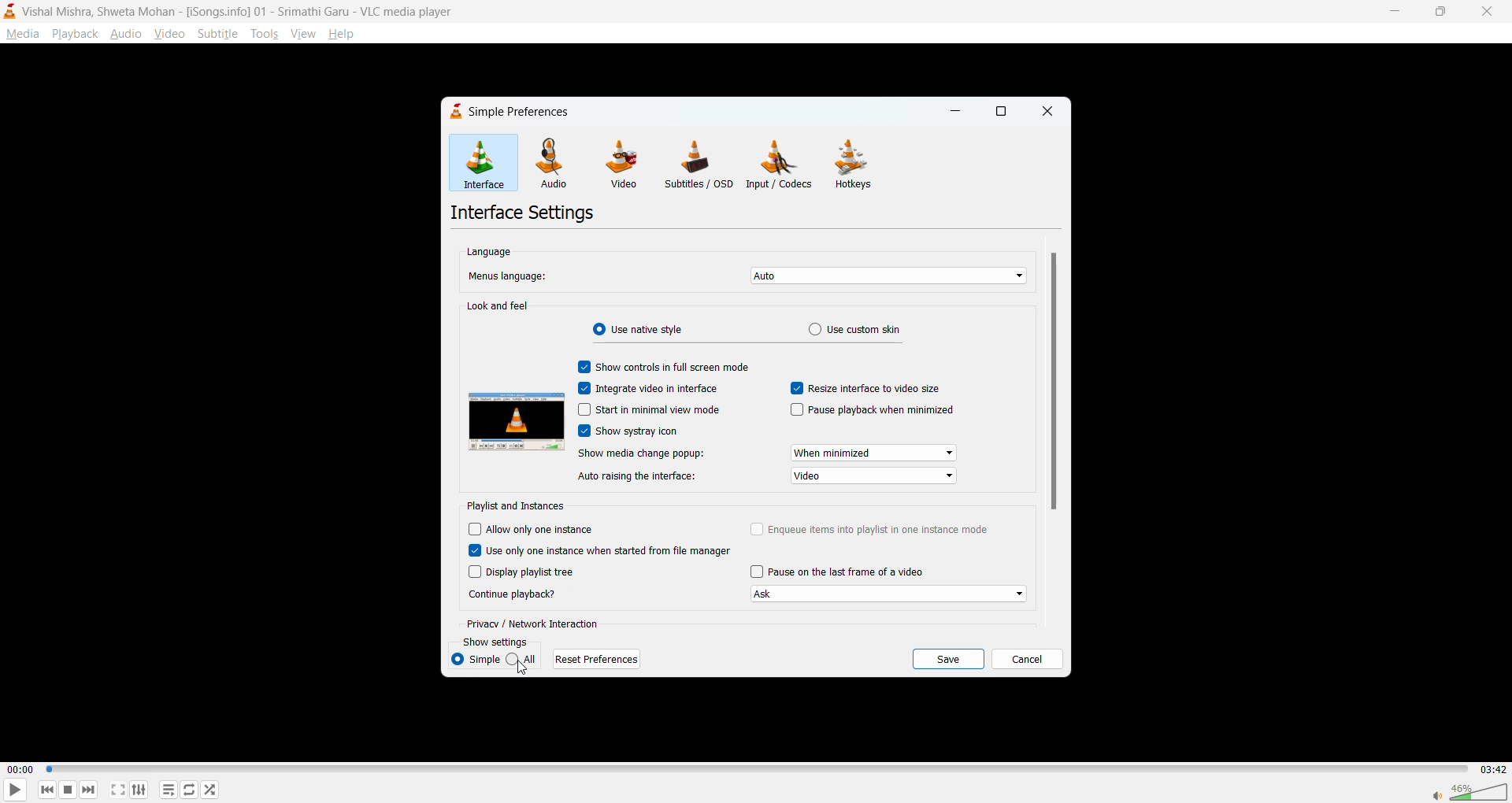  I want to click on auto raising the interface, so click(635, 478).